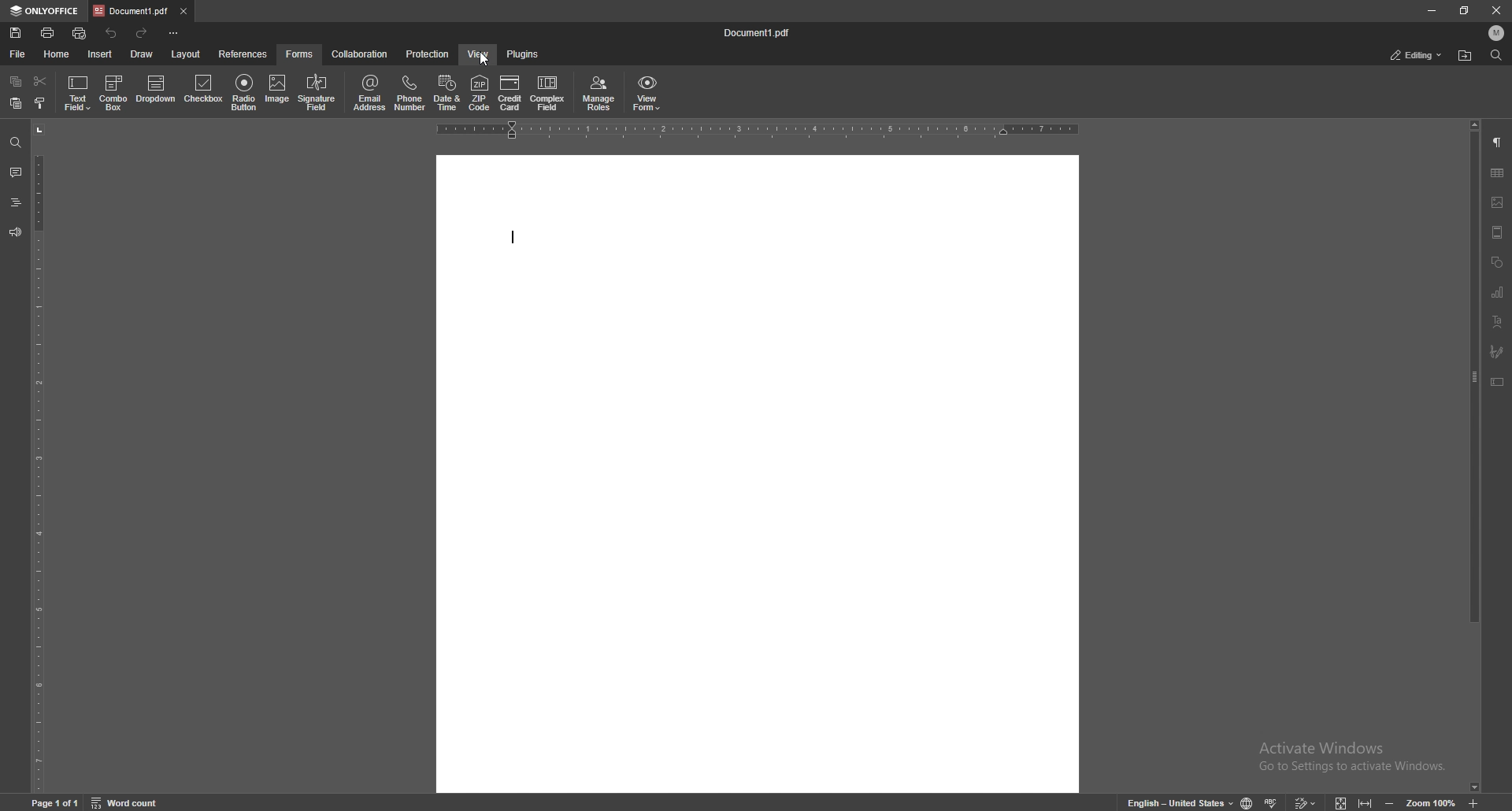  What do you see at coordinates (183, 13) in the screenshot?
I see `close tab` at bounding box center [183, 13].